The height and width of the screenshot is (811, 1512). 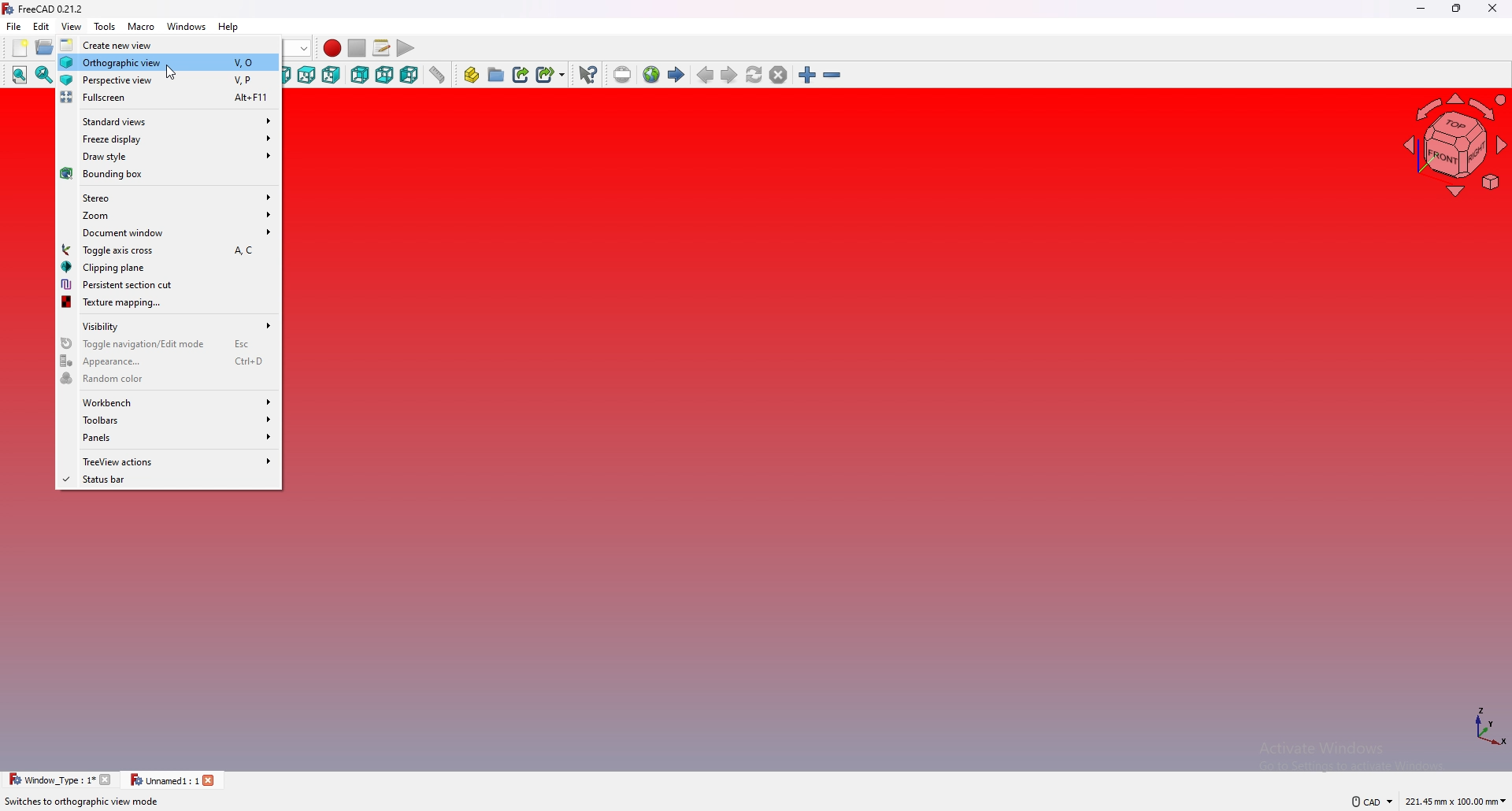 I want to click on new web page, so click(x=651, y=74).